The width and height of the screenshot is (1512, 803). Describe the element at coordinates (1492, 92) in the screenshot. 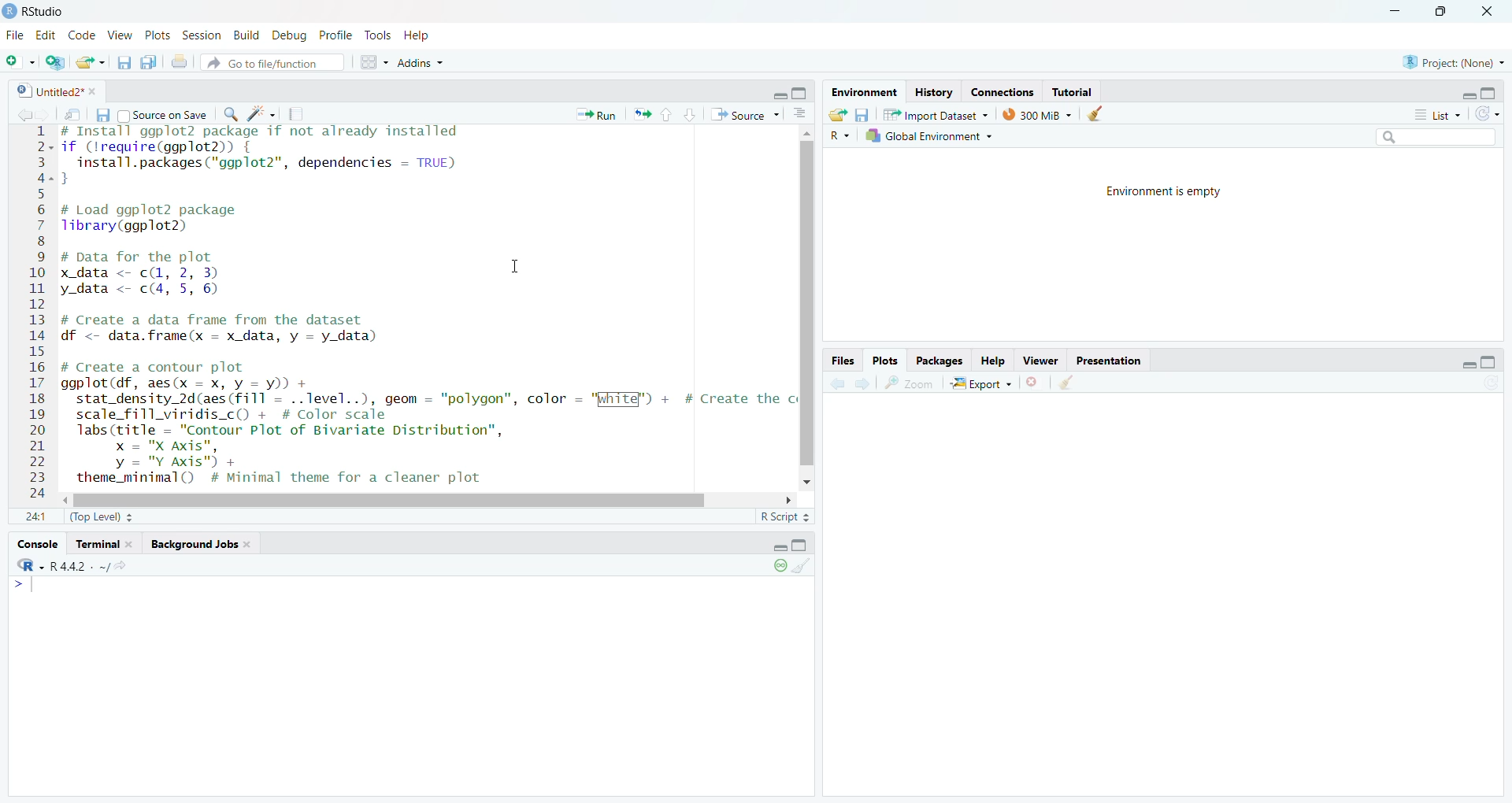

I see `hide console` at that location.